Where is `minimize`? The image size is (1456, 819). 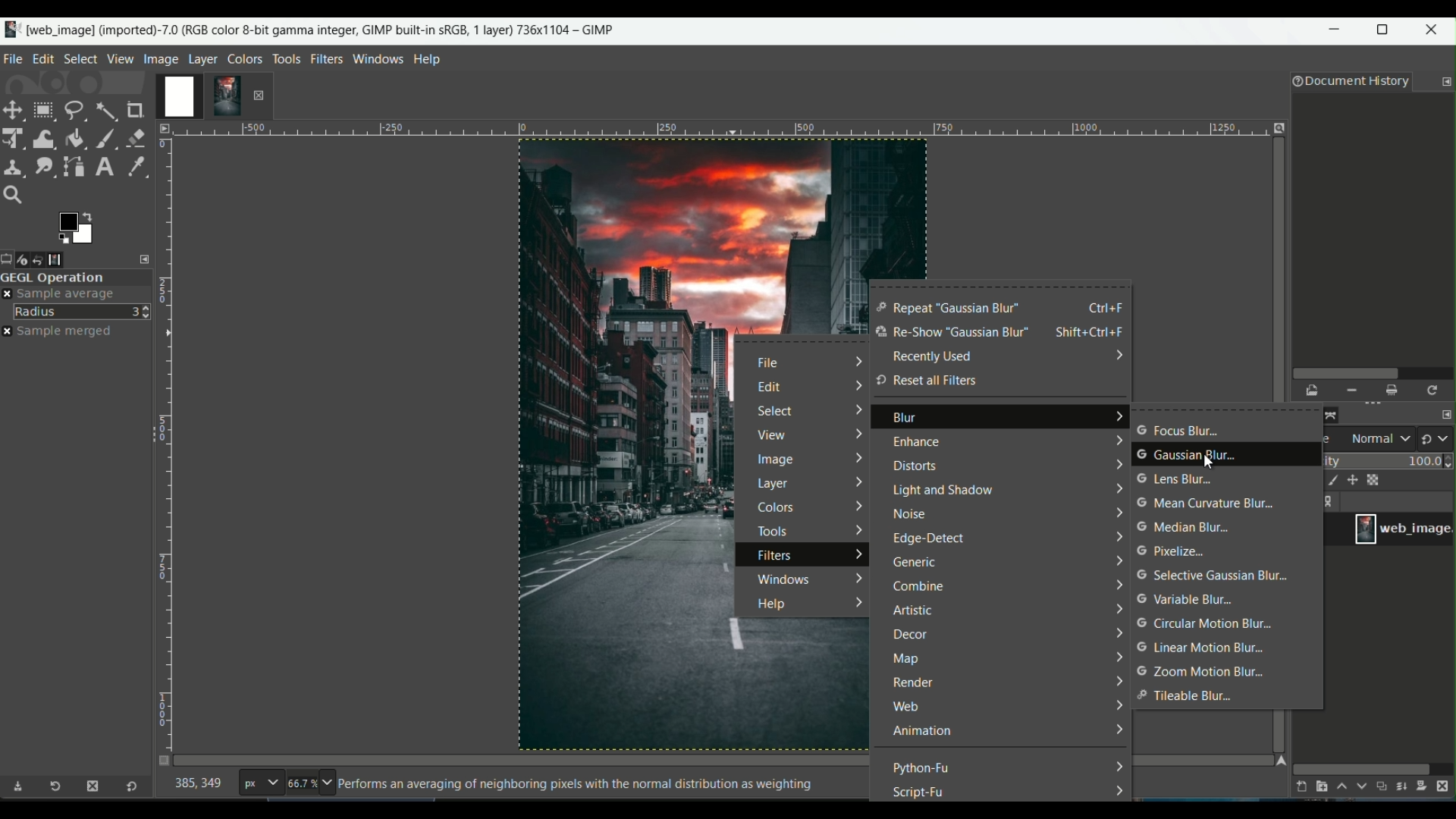
minimize is located at coordinates (1335, 33).